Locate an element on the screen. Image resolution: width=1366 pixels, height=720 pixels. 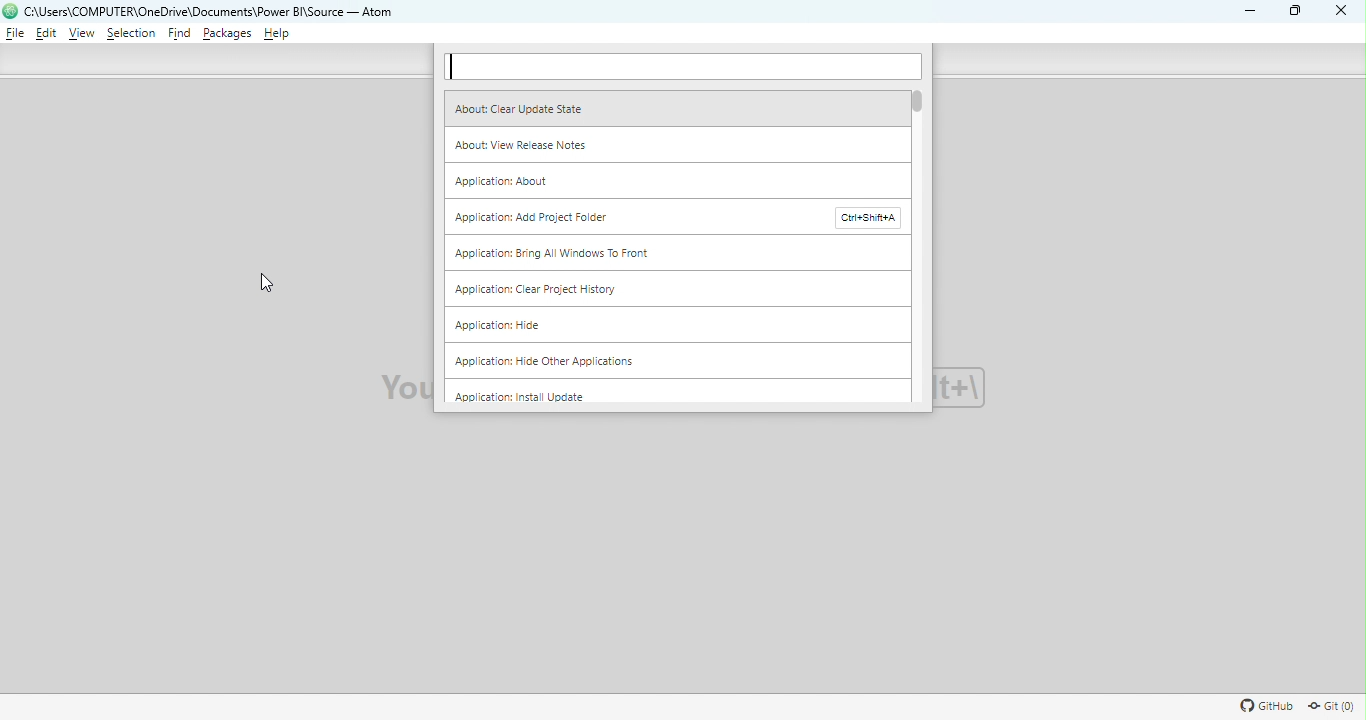
logo  is located at coordinates (11, 11).